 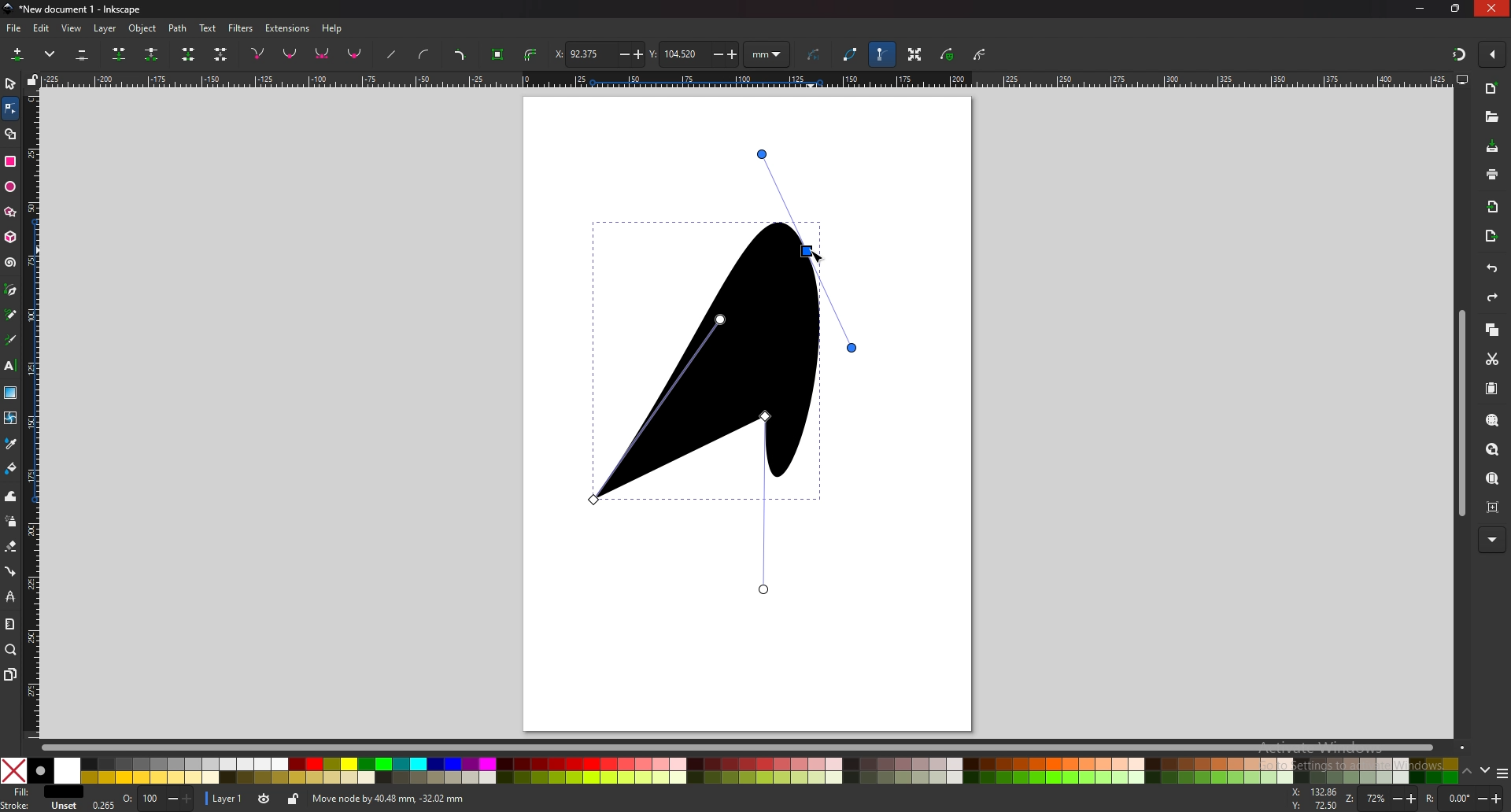 What do you see at coordinates (815, 55) in the screenshot?
I see `next path effect parameter` at bounding box center [815, 55].